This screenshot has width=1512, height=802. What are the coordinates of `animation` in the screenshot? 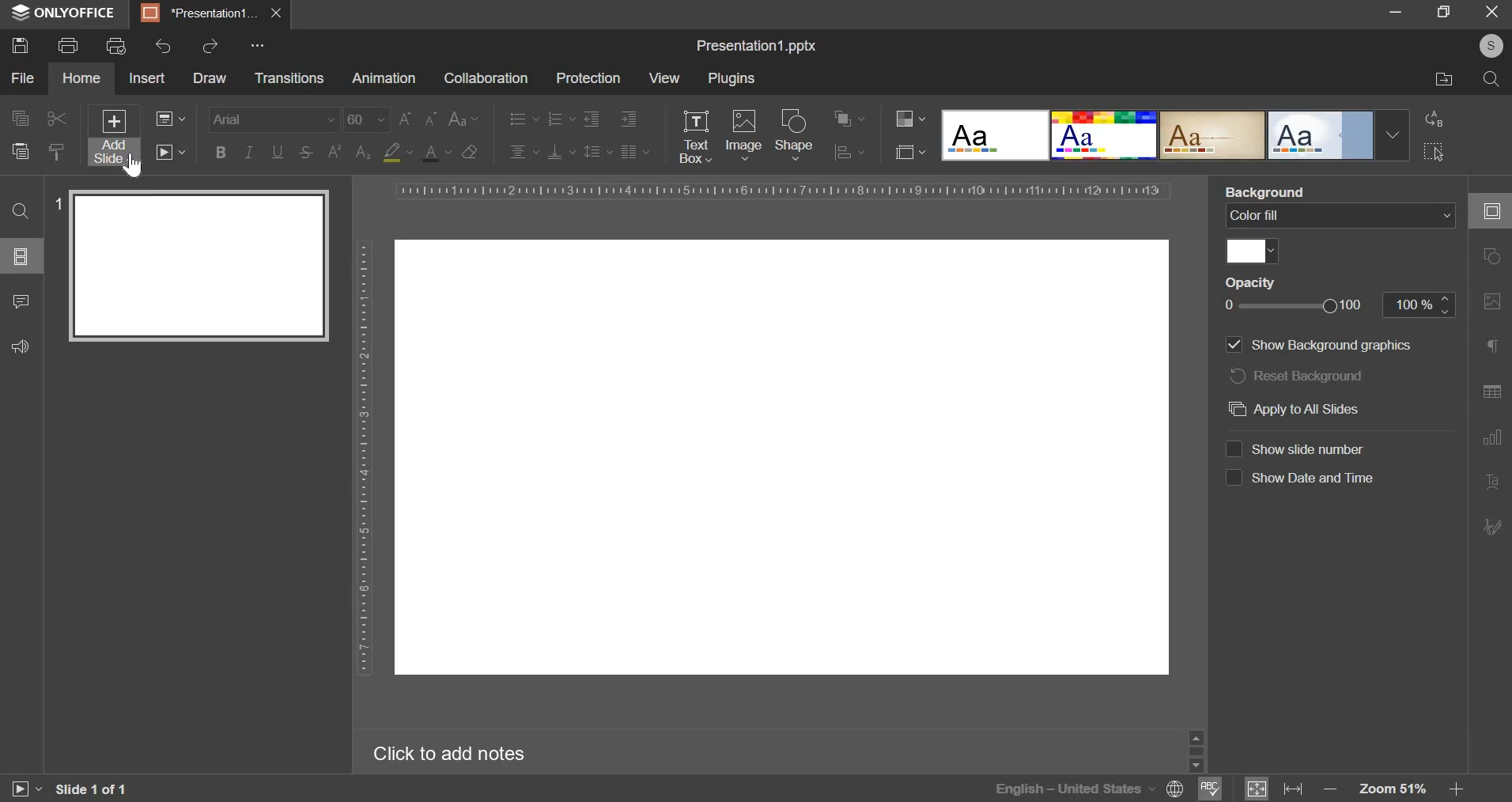 It's located at (384, 78).